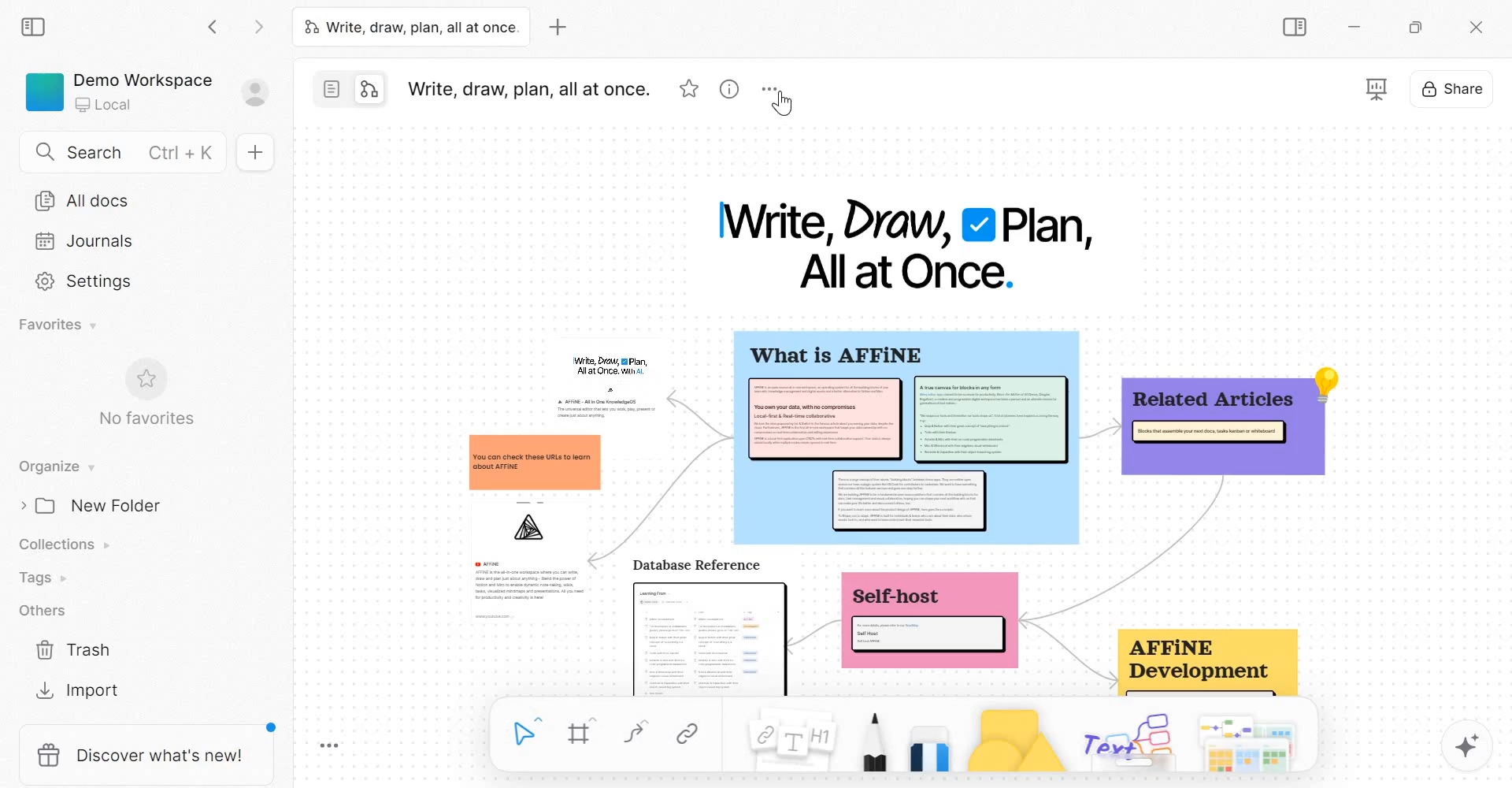 The width and height of the screenshot is (1512, 788). Describe the element at coordinates (327, 745) in the screenshot. I see `Toggle Zoom Tool Bar` at that location.